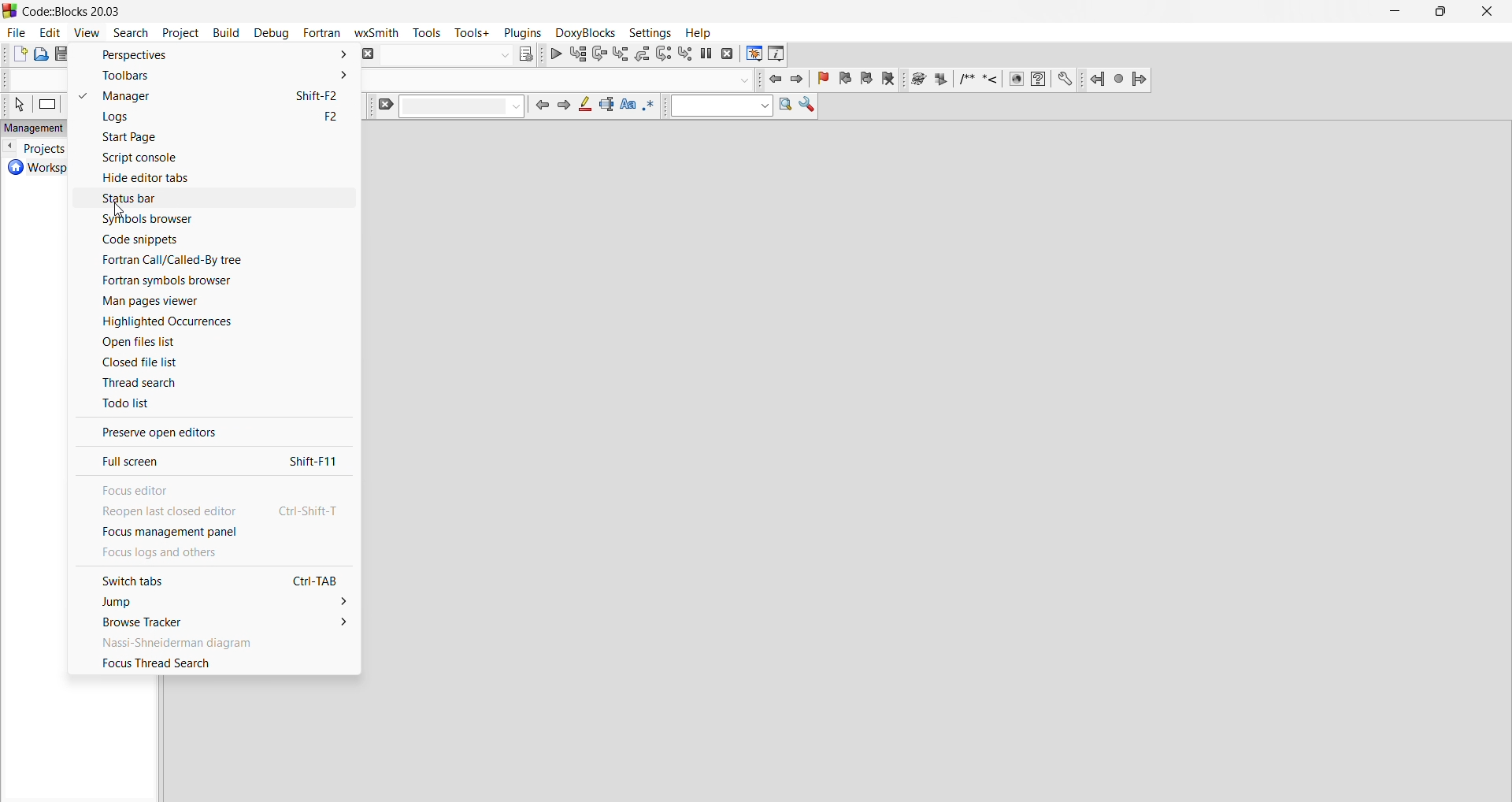 This screenshot has width=1512, height=802. I want to click on fortran, so click(322, 32).